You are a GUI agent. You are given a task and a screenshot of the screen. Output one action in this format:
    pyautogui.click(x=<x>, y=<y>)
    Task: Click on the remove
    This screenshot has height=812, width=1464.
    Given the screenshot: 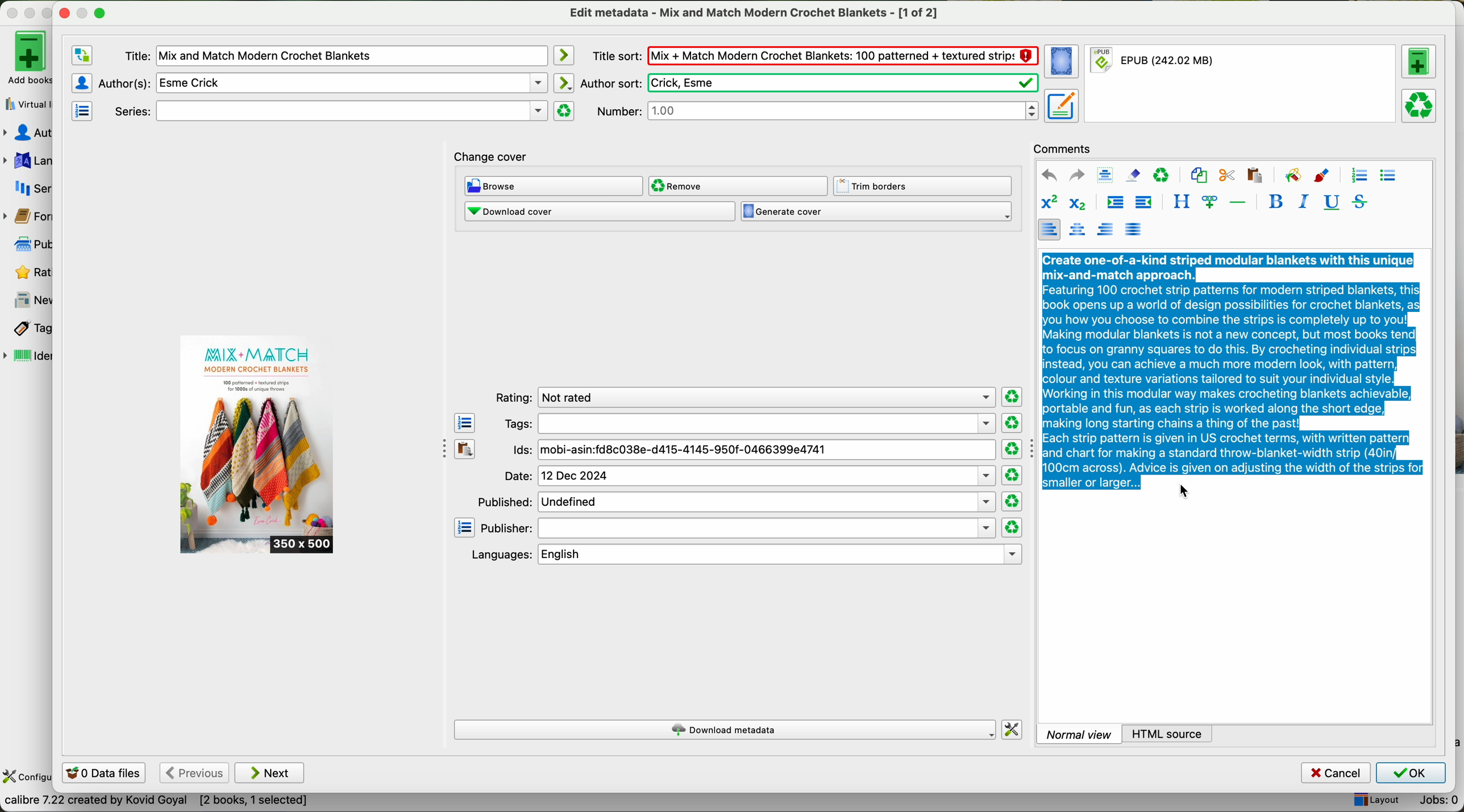 What is the action you would take?
    pyautogui.click(x=737, y=186)
    